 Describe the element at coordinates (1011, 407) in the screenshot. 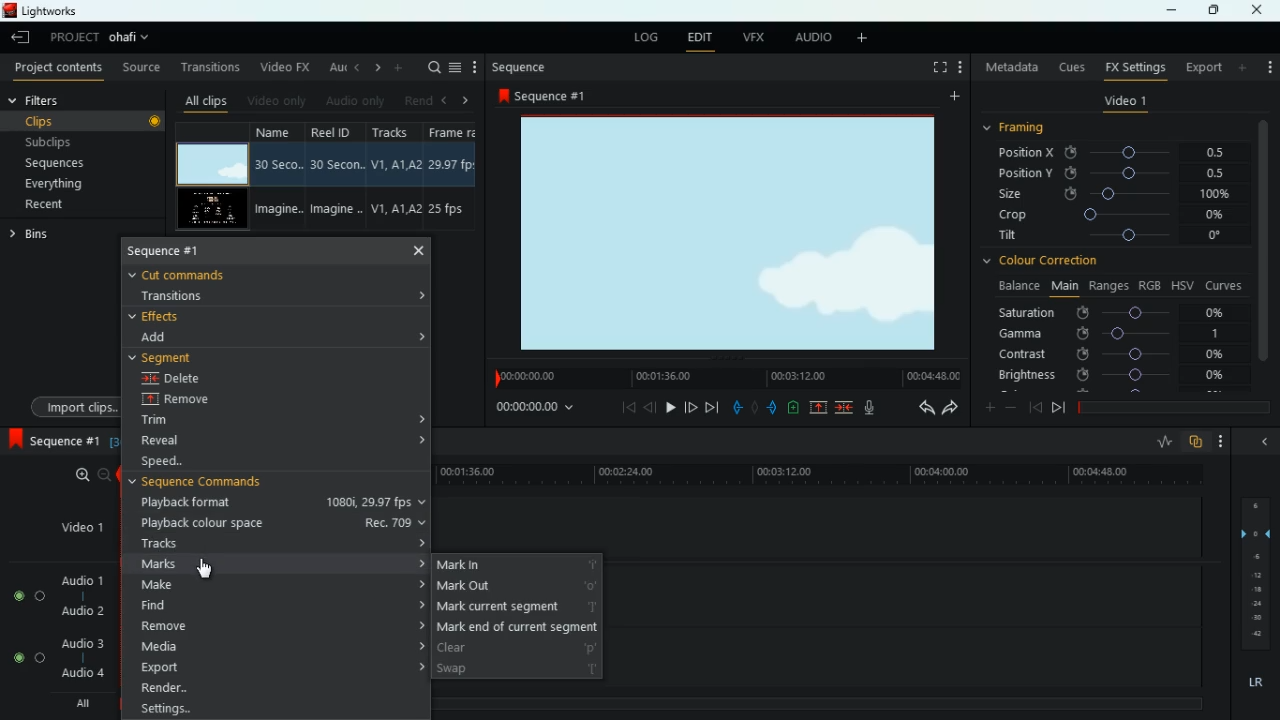

I see `minus` at that location.